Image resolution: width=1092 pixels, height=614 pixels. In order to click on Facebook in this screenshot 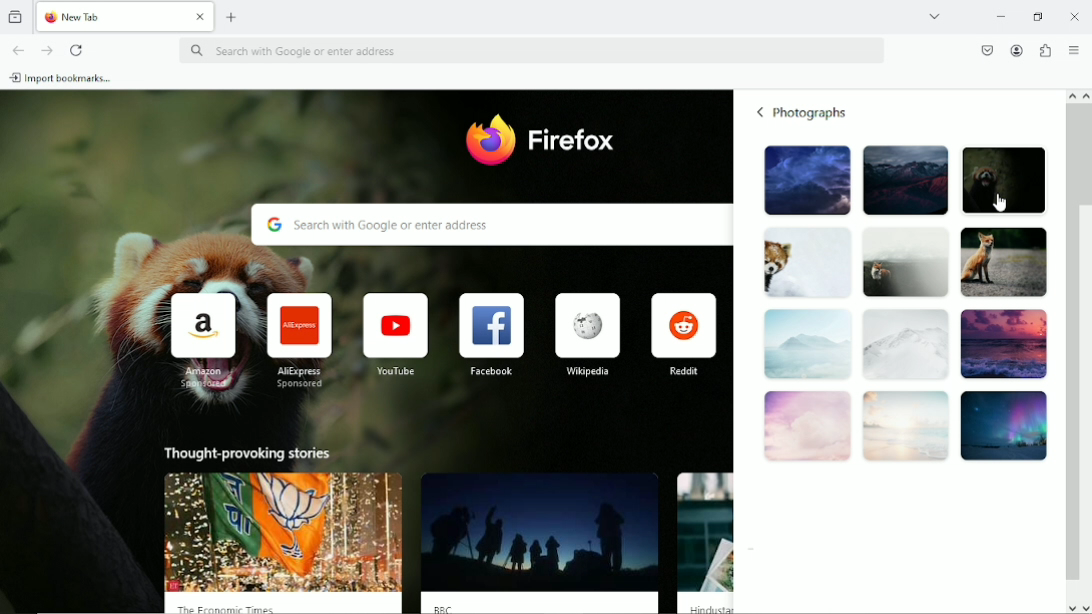, I will do `click(491, 334)`.